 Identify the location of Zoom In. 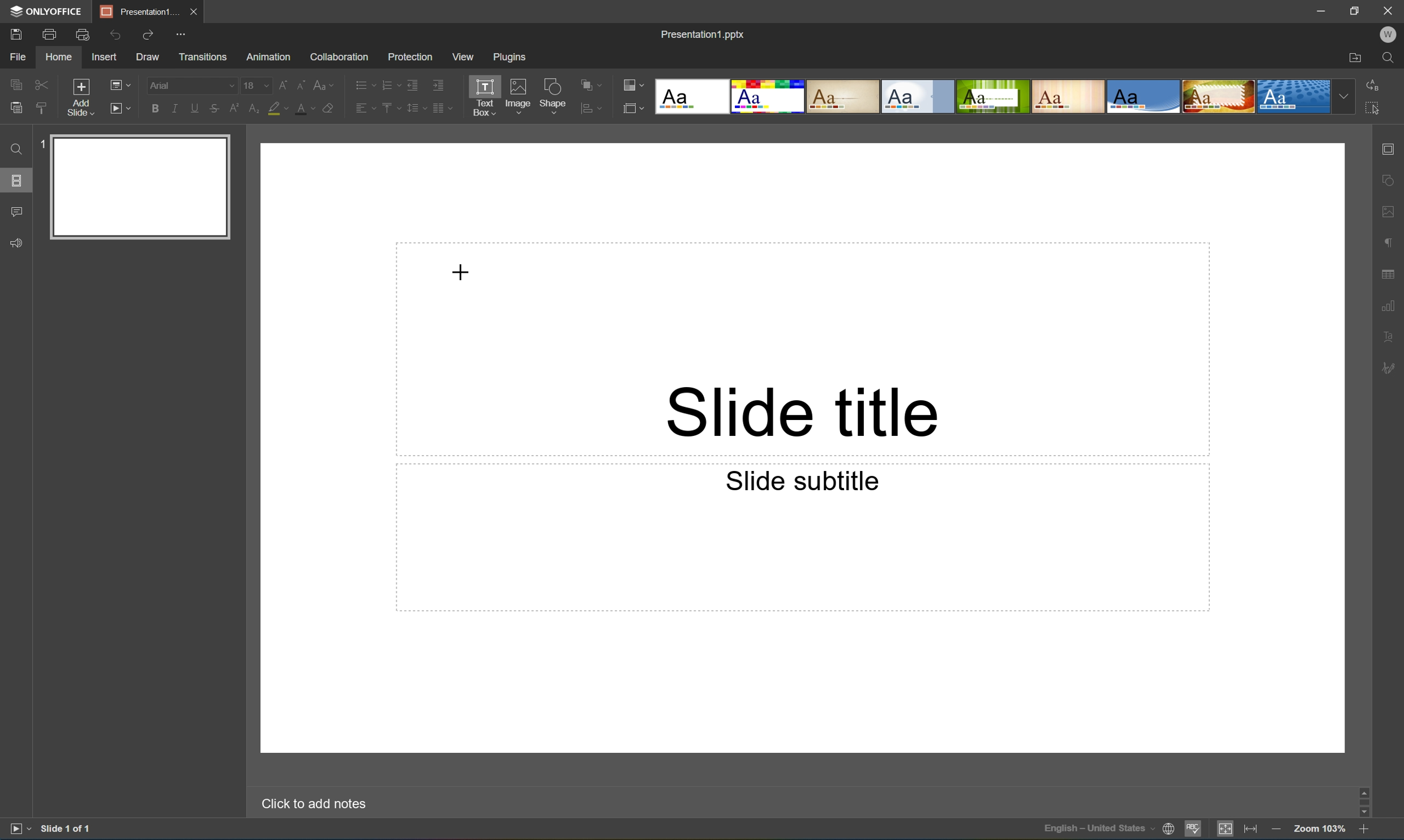
(1363, 831).